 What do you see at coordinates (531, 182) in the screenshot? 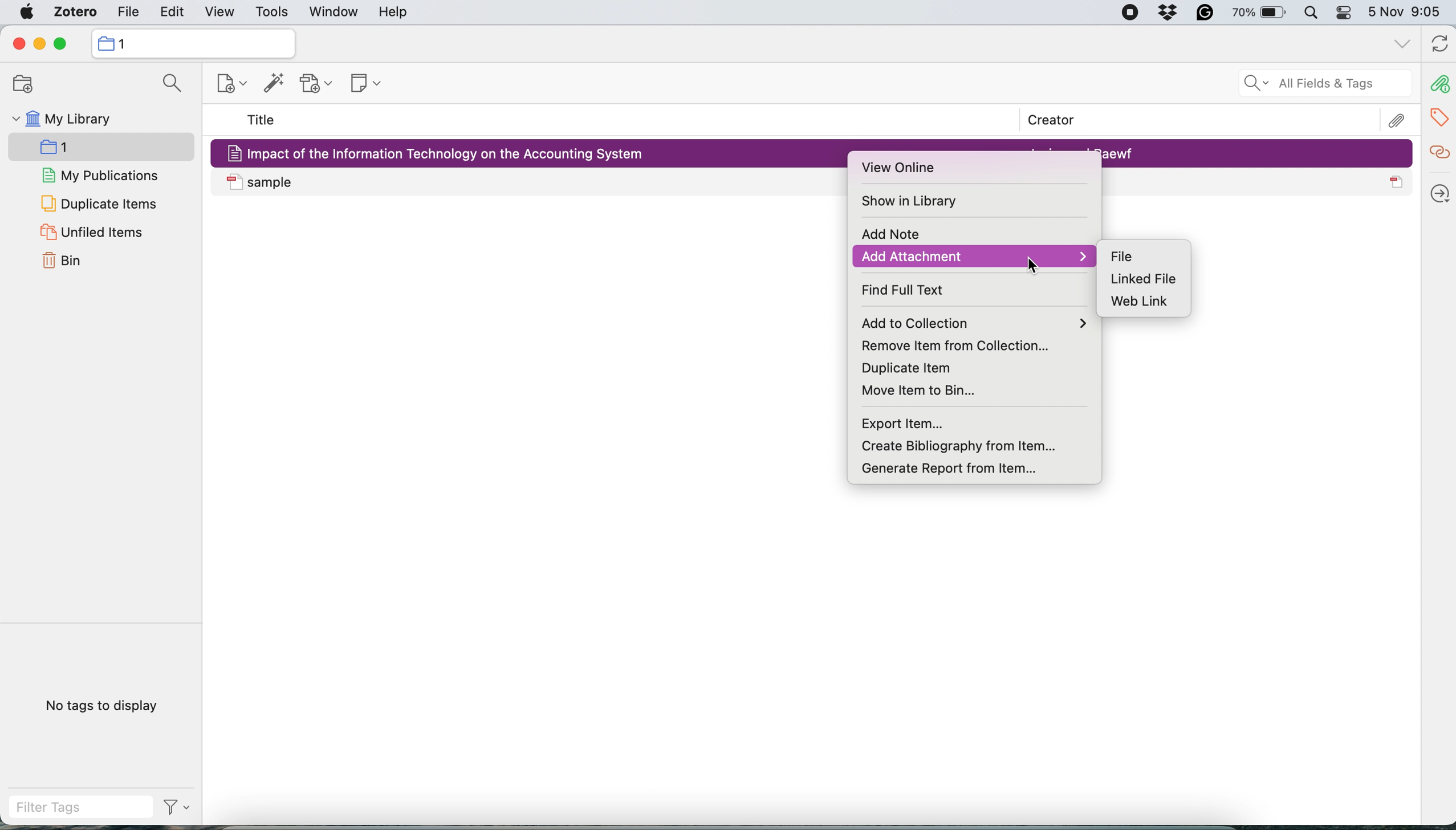
I see `sample` at bounding box center [531, 182].